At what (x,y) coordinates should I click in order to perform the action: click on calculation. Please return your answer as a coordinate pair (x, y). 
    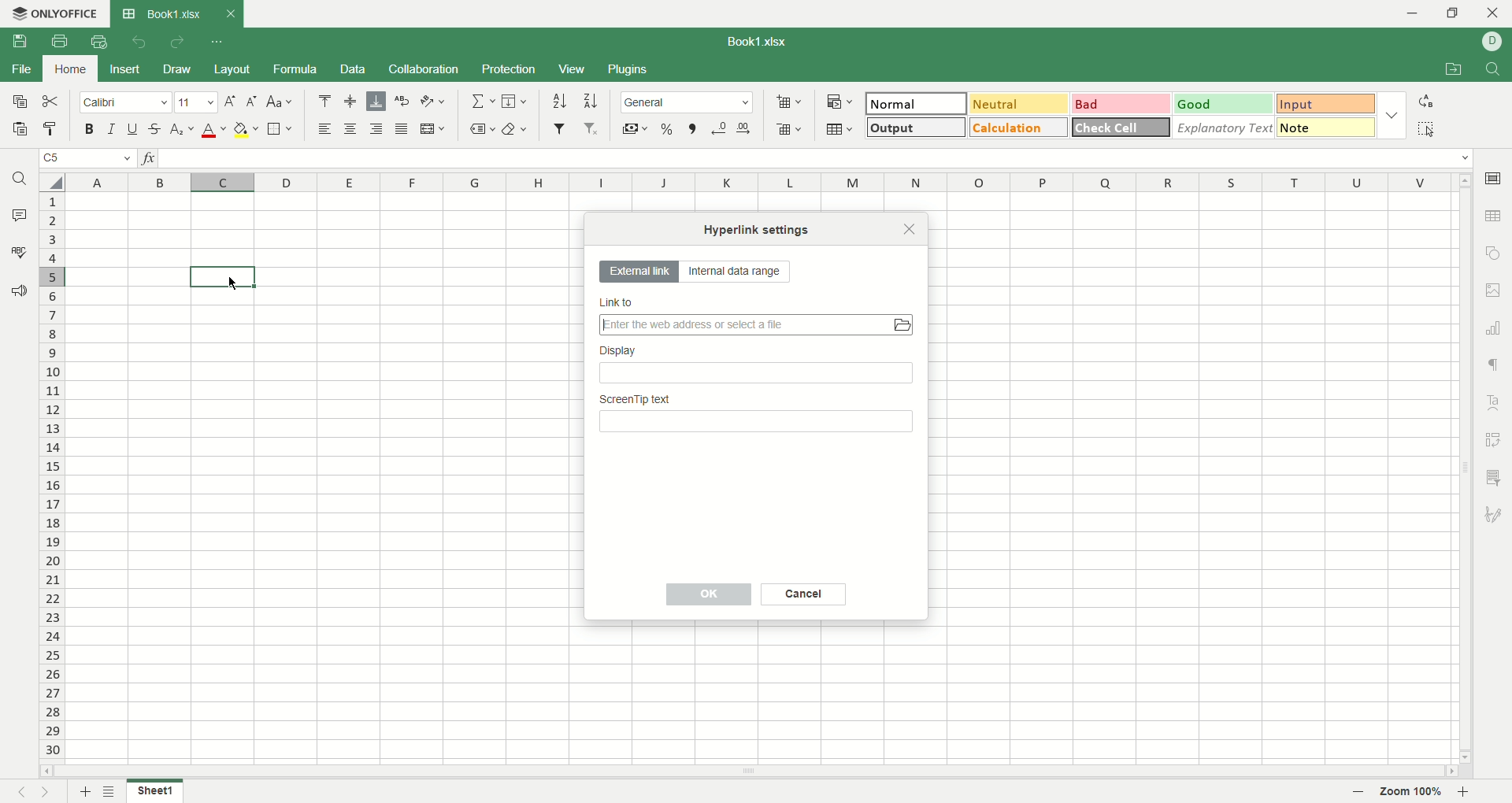
    Looking at the image, I should click on (1019, 127).